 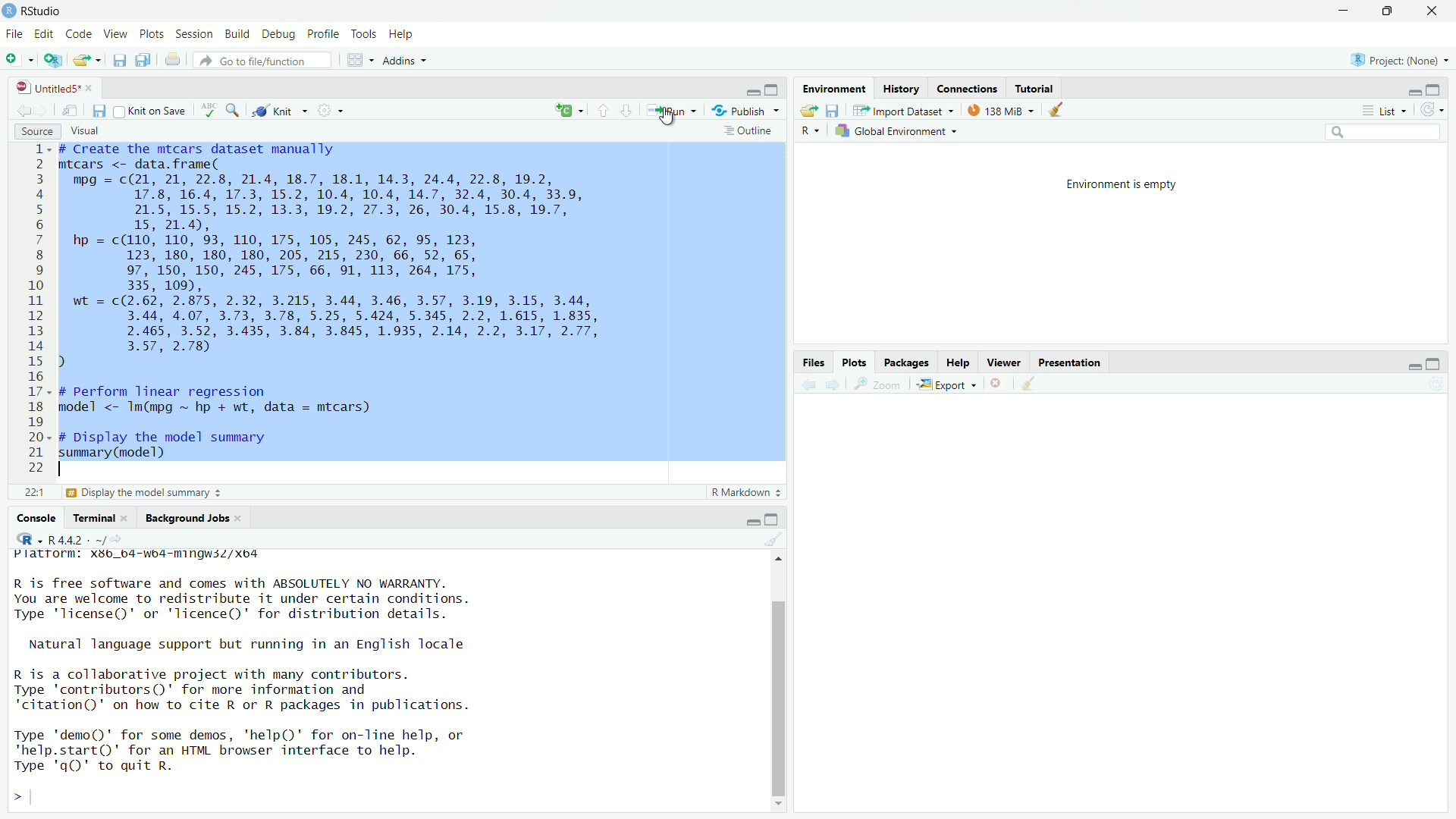 I want to click on maximize, so click(x=1432, y=90).